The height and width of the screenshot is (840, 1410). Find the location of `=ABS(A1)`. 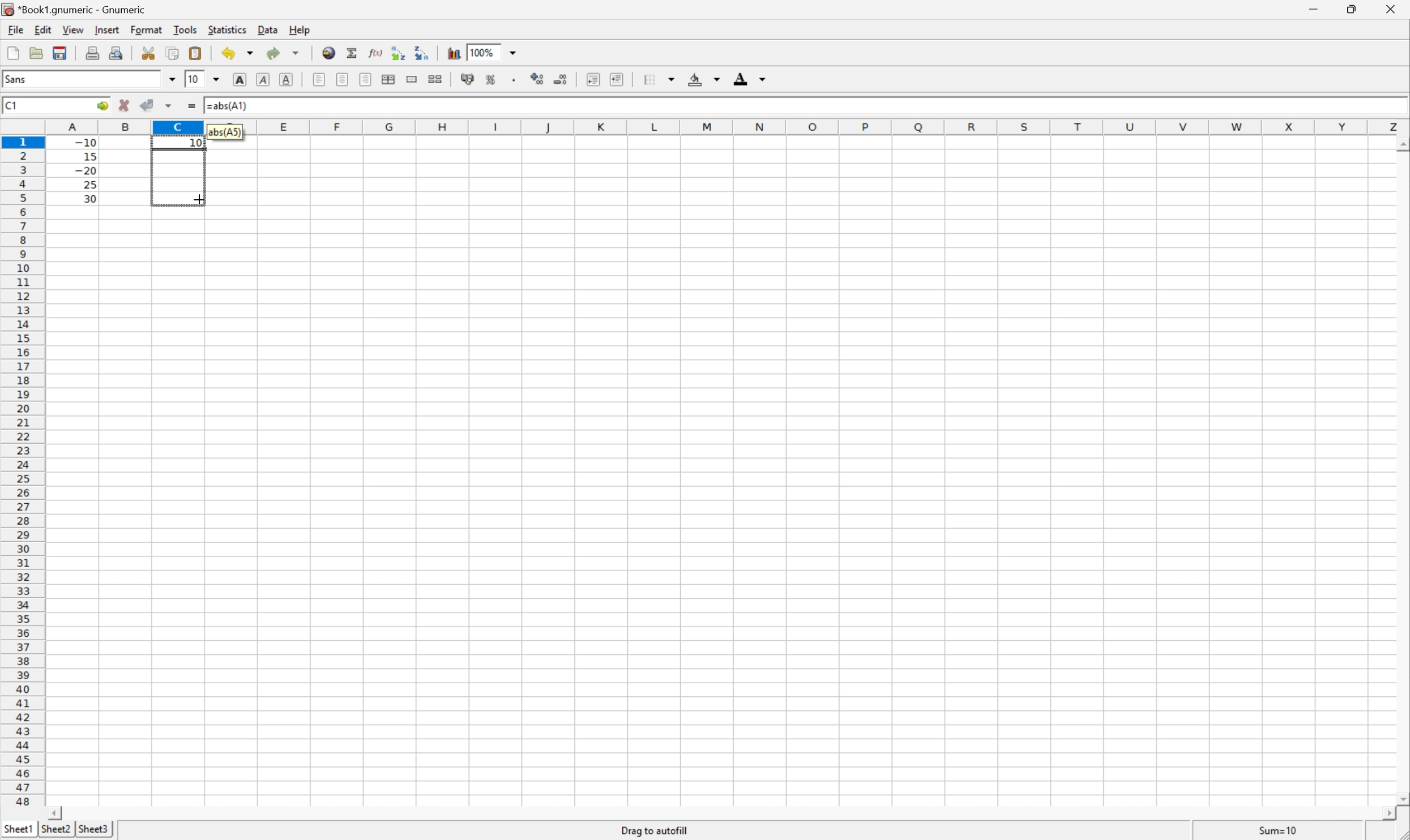

=ABS(A1) is located at coordinates (232, 104).